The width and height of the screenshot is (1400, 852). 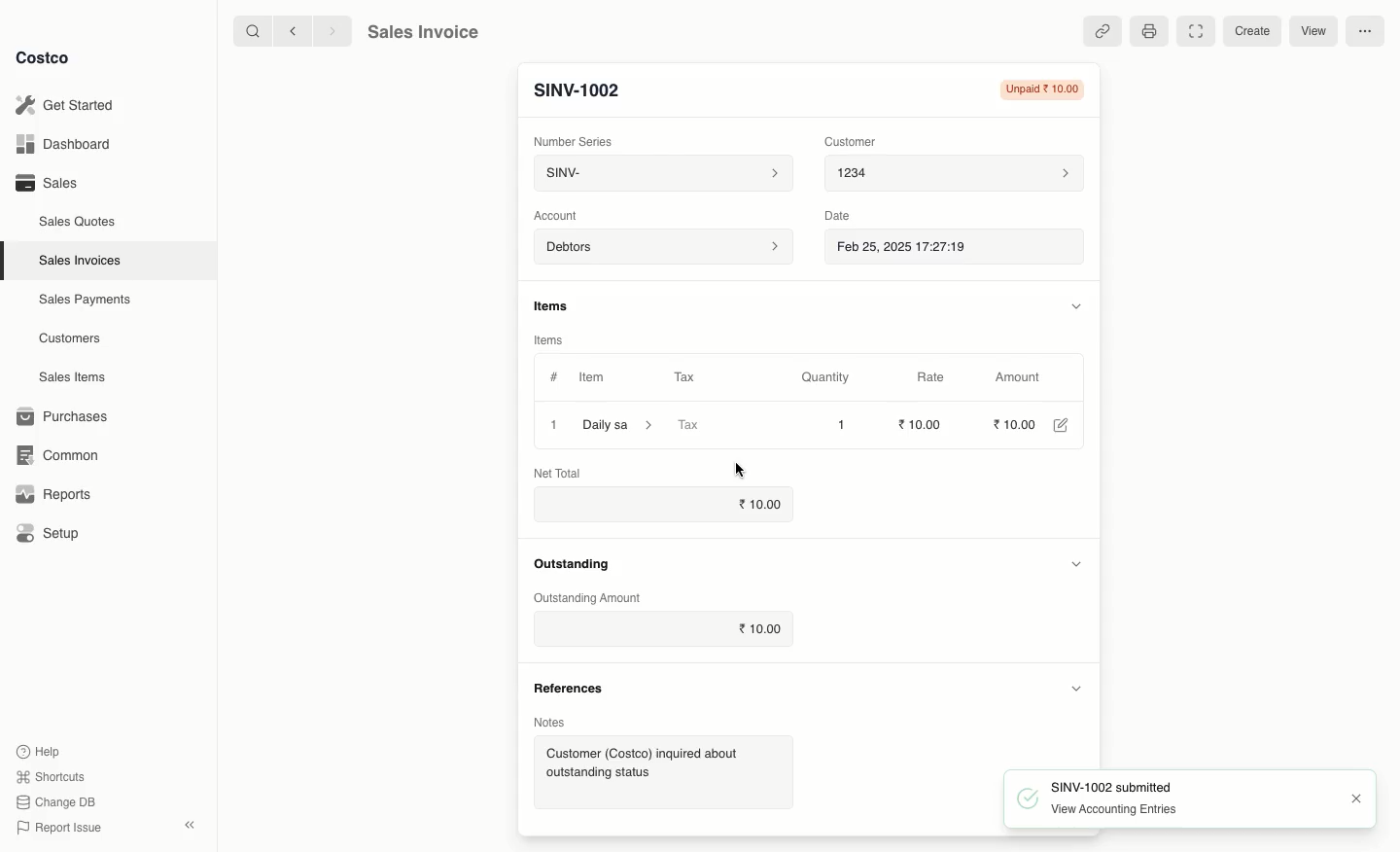 What do you see at coordinates (662, 248) in the screenshot?
I see `Debtors` at bounding box center [662, 248].